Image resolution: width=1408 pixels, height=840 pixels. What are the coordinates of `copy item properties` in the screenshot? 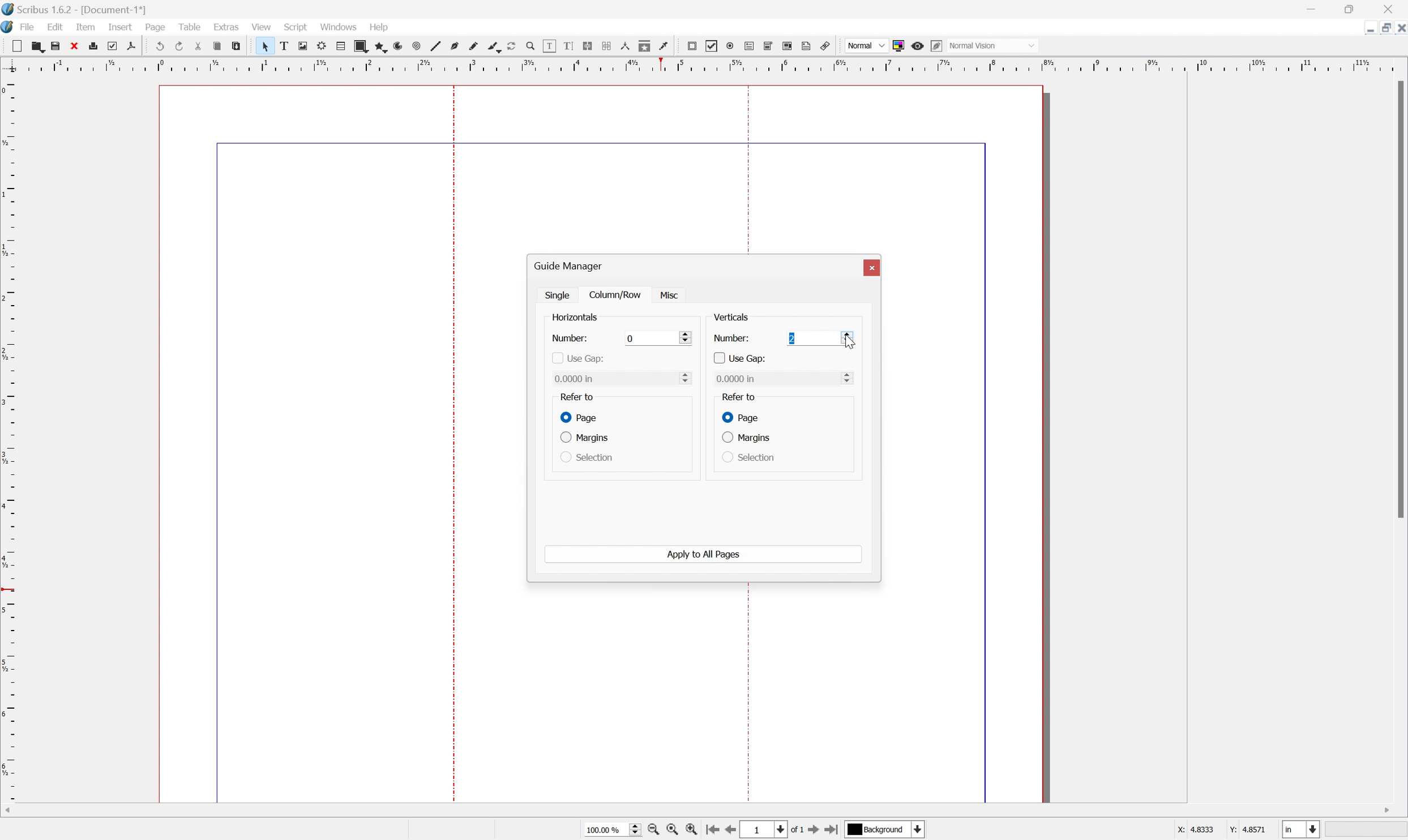 It's located at (645, 46).